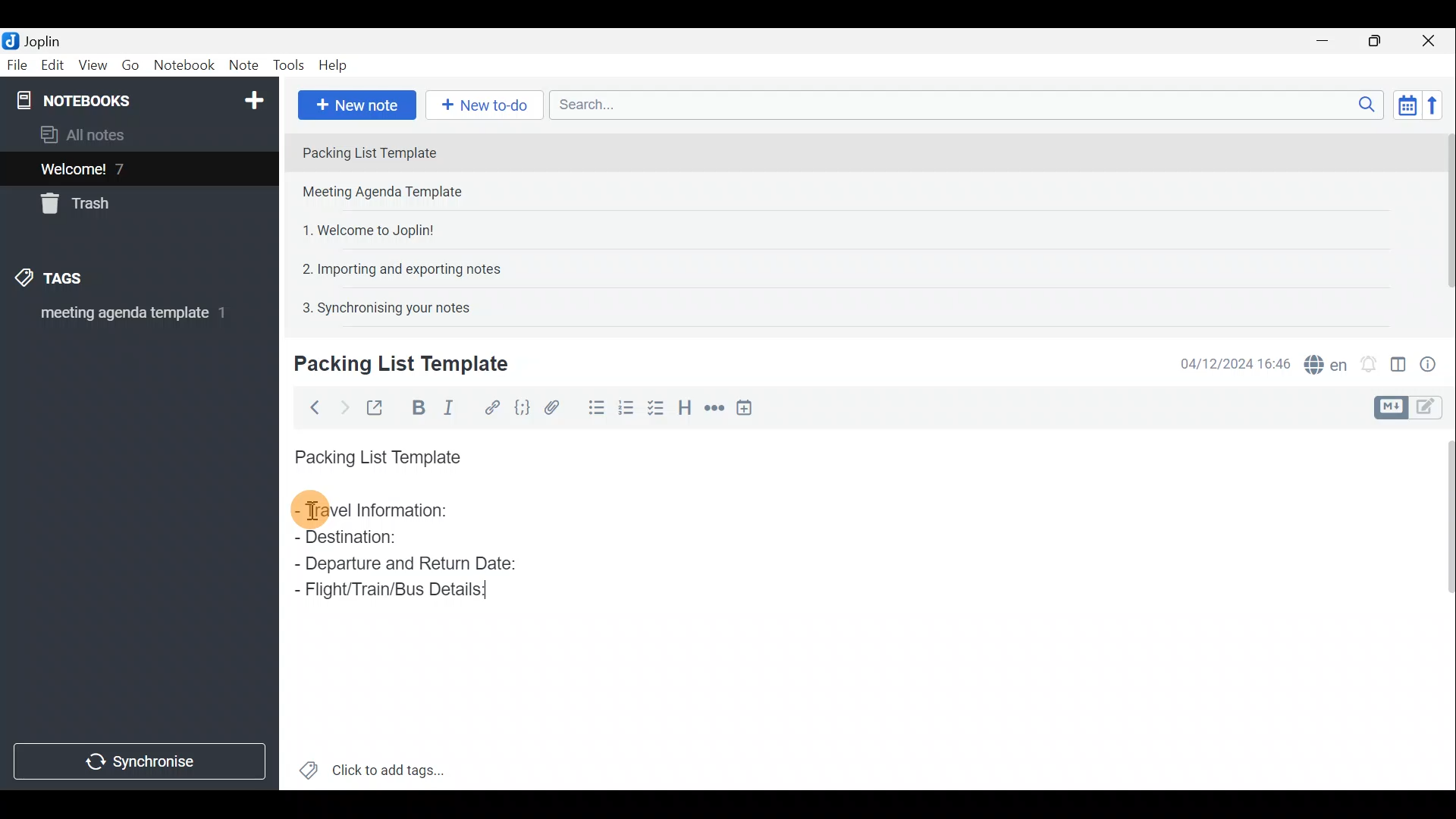 This screenshot has height=819, width=1456. I want to click on Note properties, so click(1433, 362).